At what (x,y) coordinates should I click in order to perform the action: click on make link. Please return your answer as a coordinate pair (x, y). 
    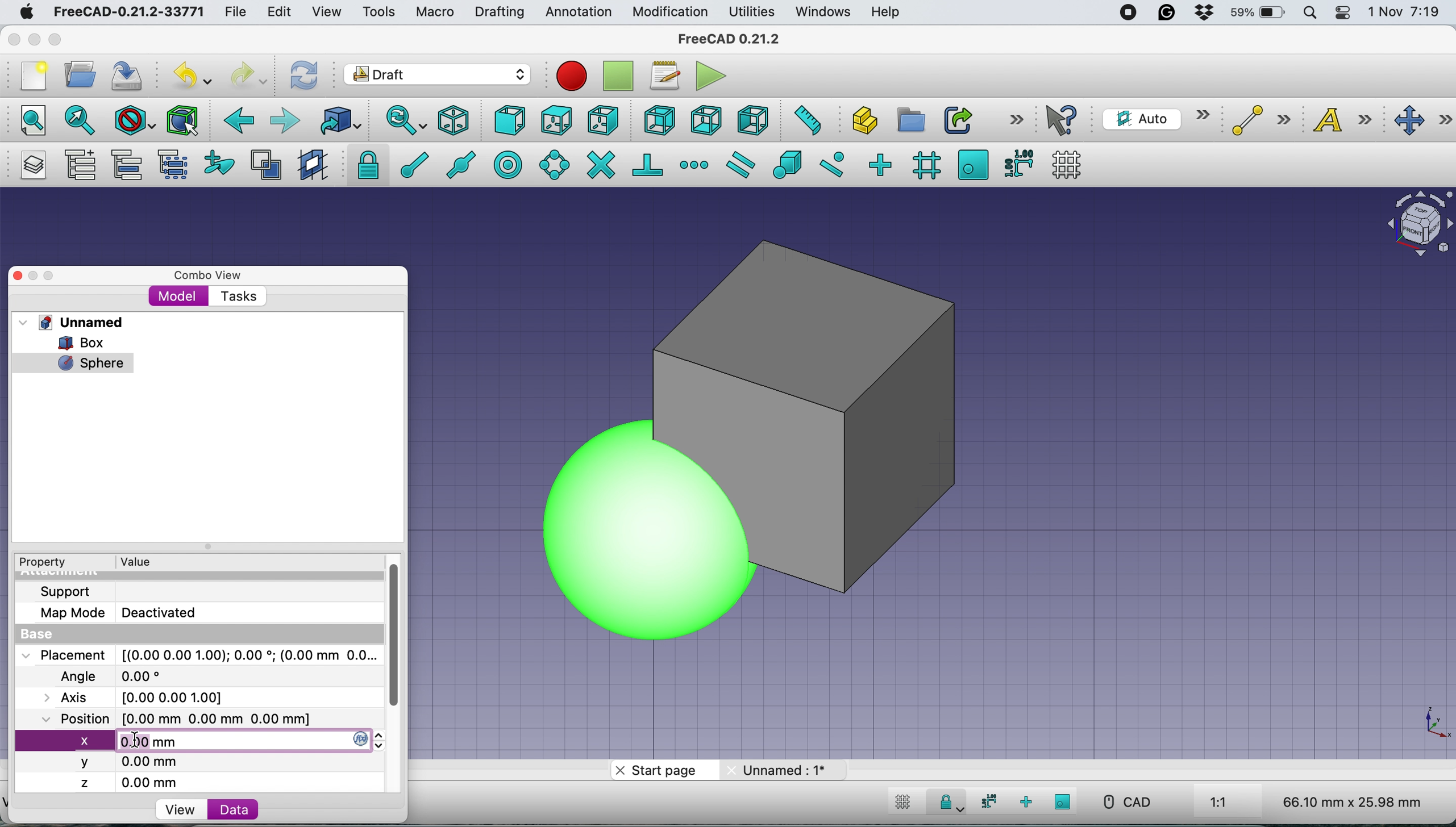
    Looking at the image, I should click on (958, 119).